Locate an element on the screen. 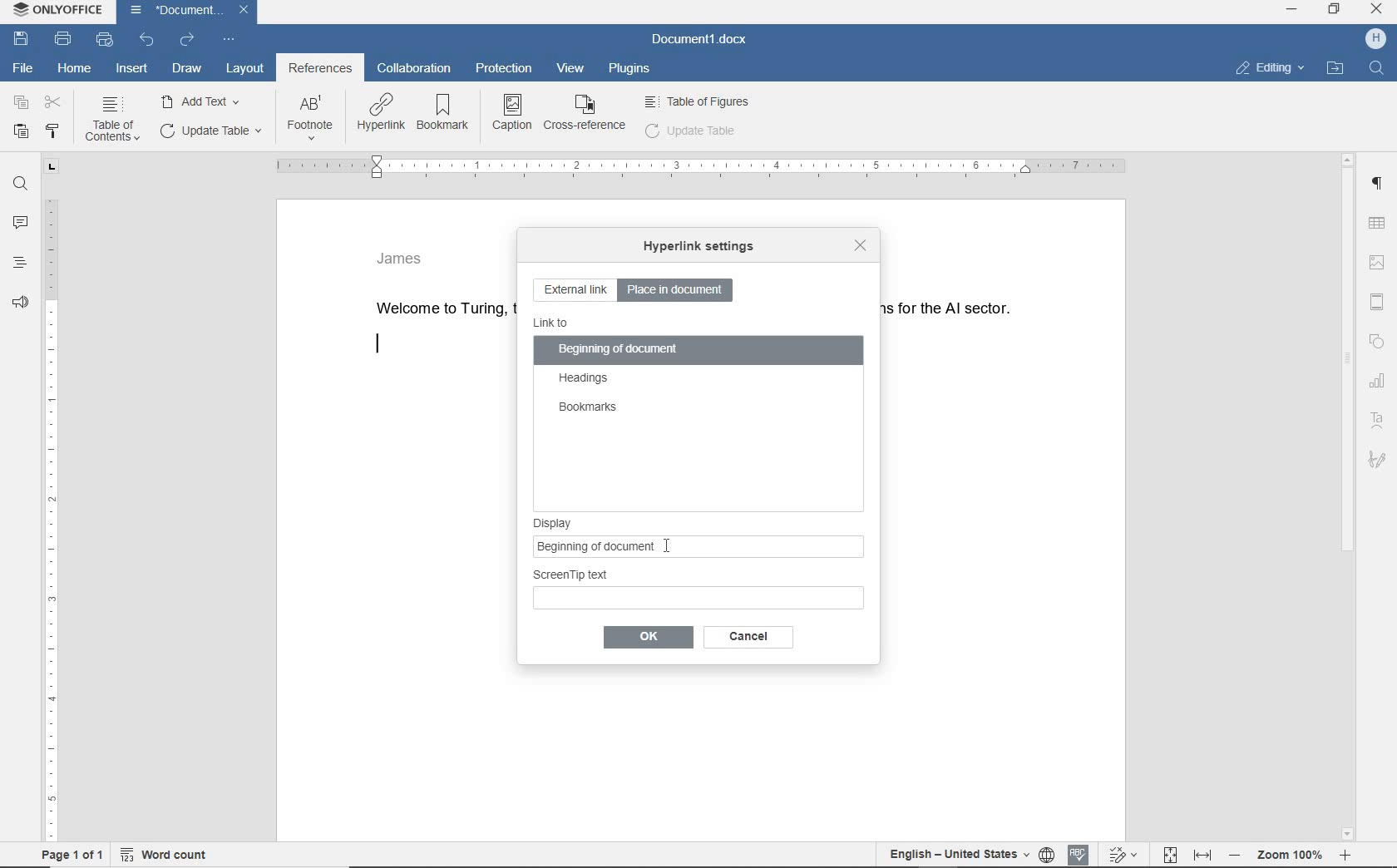 Image resolution: width=1397 pixels, height=868 pixels. beginning of document is located at coordinates (619, 351).